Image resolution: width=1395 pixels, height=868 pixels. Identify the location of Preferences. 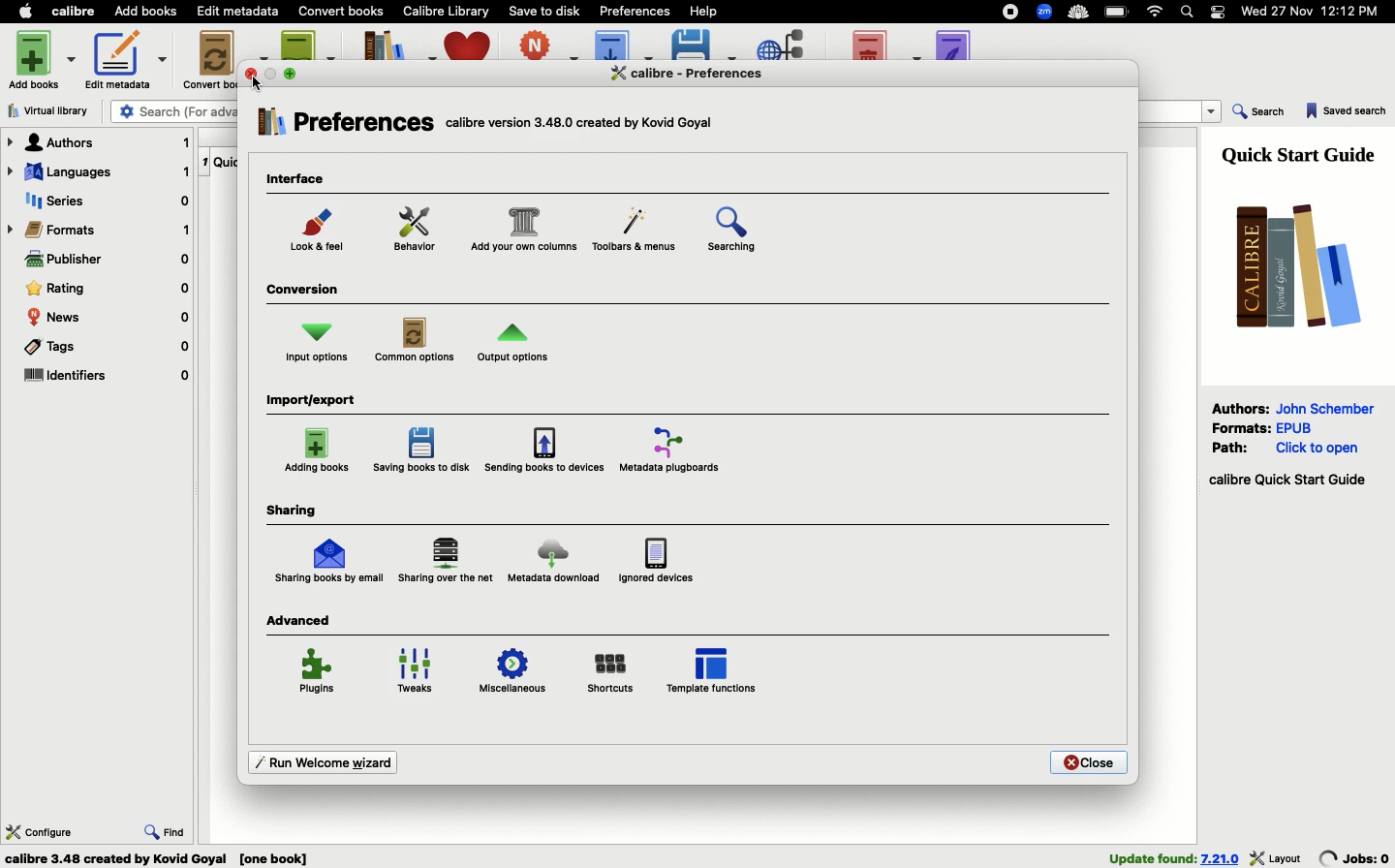
(636, 10).